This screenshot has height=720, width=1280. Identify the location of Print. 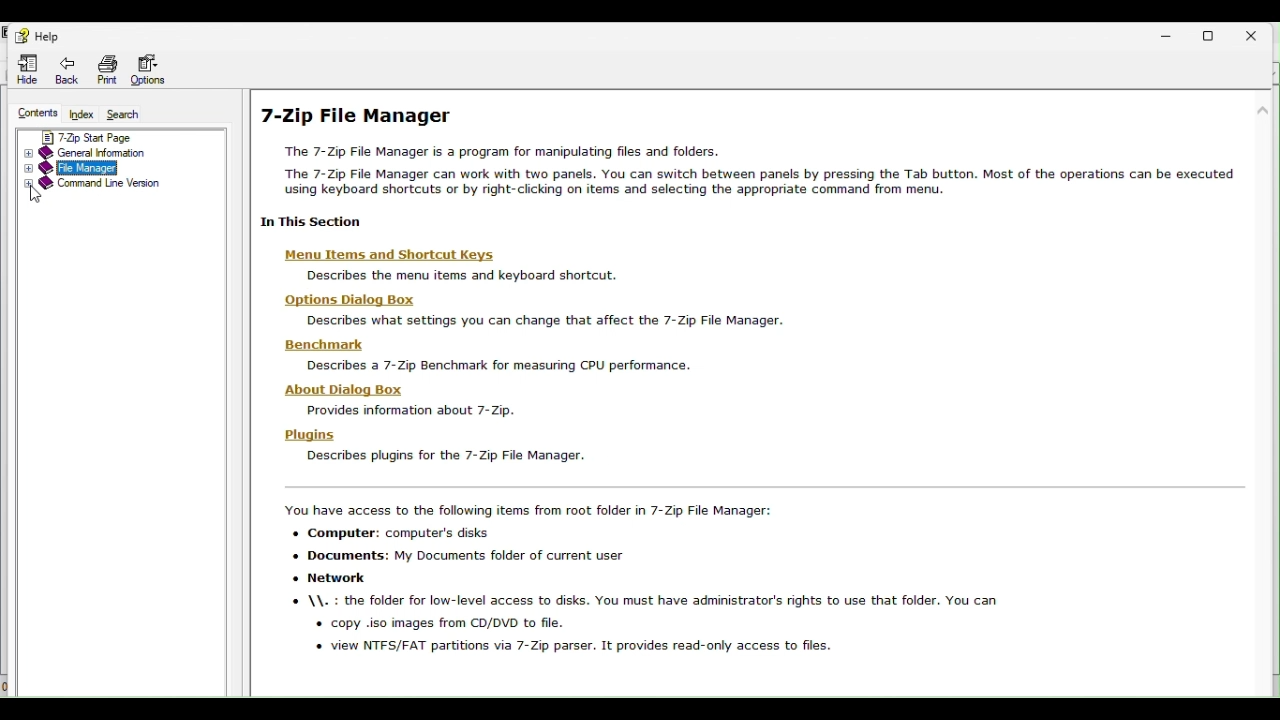
(103, 67).